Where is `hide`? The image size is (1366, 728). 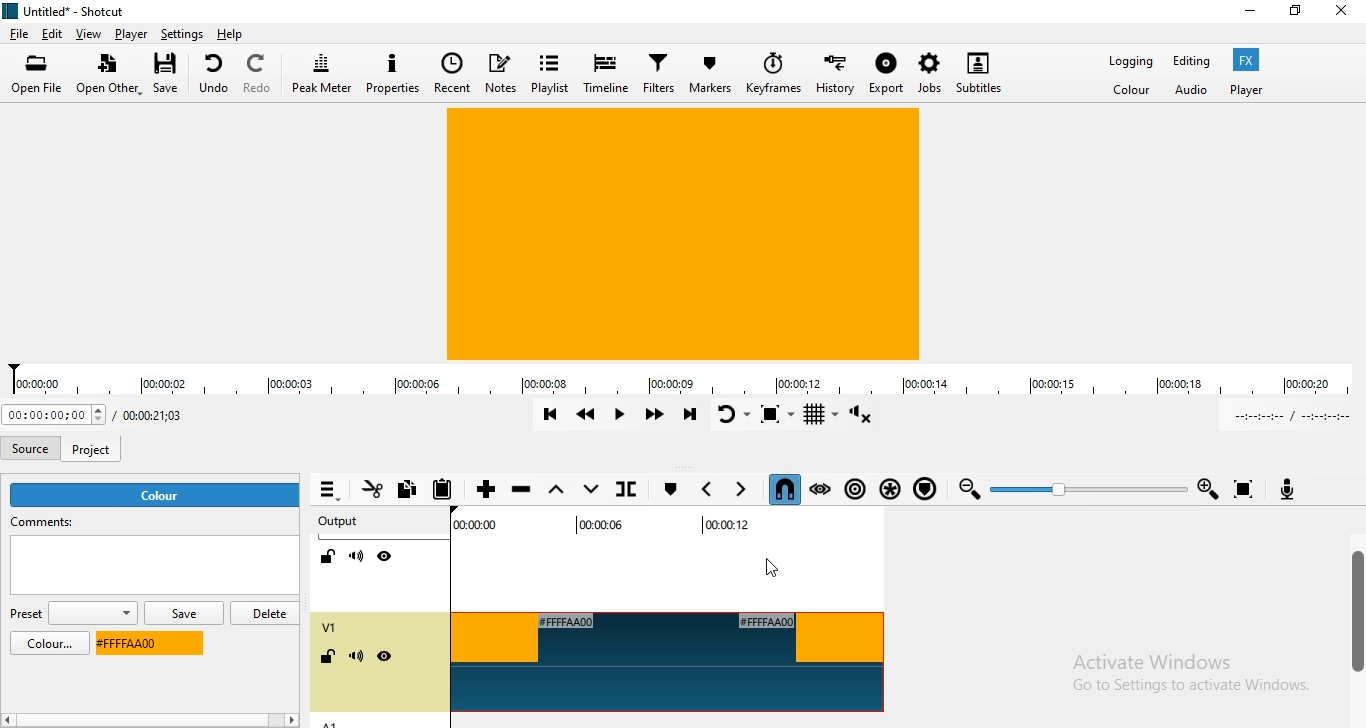
hide is located at coordinates (384, 658).